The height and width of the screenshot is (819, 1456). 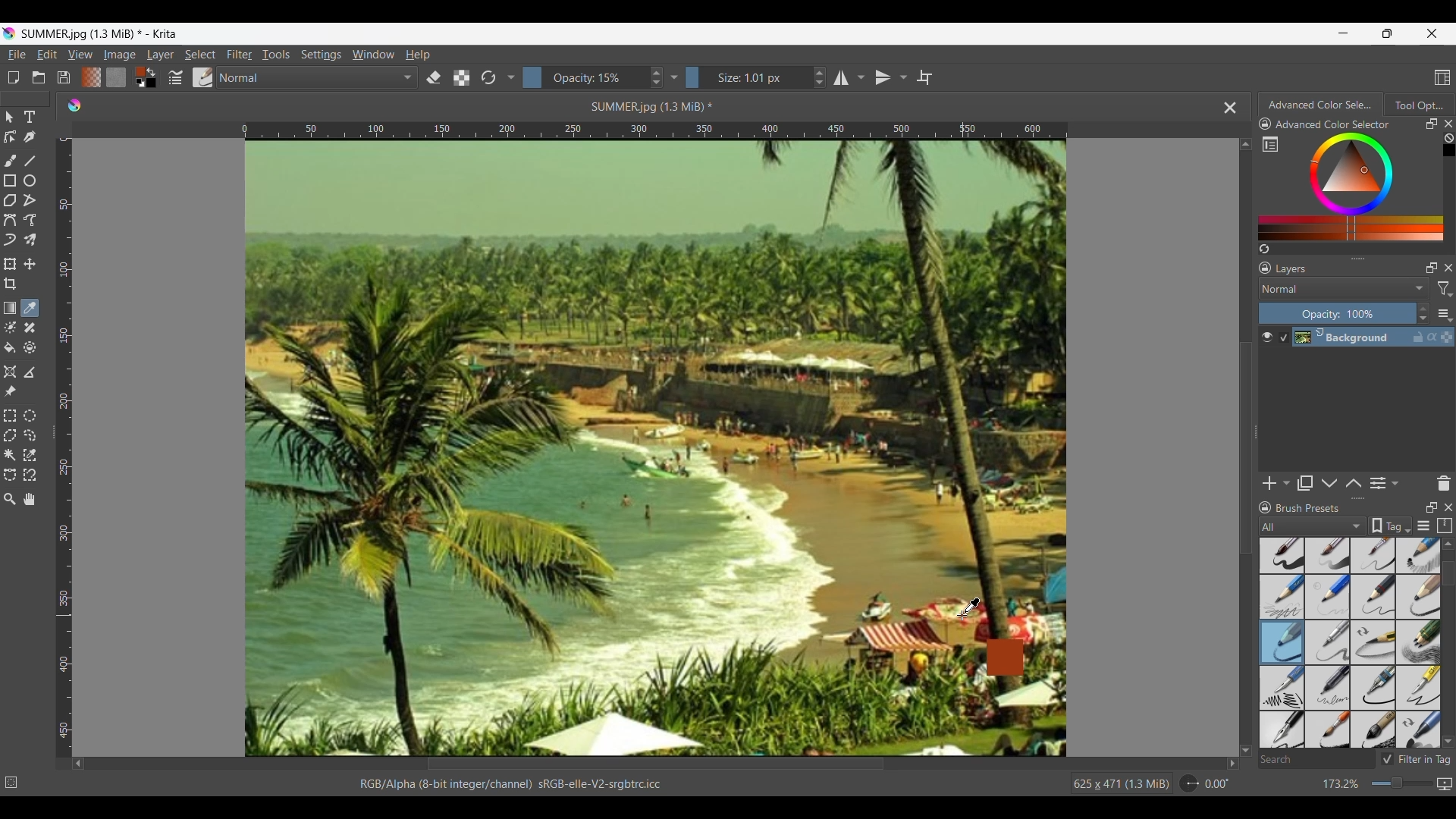 What do you see at coordinates (1255, 441) in the screenshot?
I see `Change width of panels attached to the line` at bounding box center [1255, 441].